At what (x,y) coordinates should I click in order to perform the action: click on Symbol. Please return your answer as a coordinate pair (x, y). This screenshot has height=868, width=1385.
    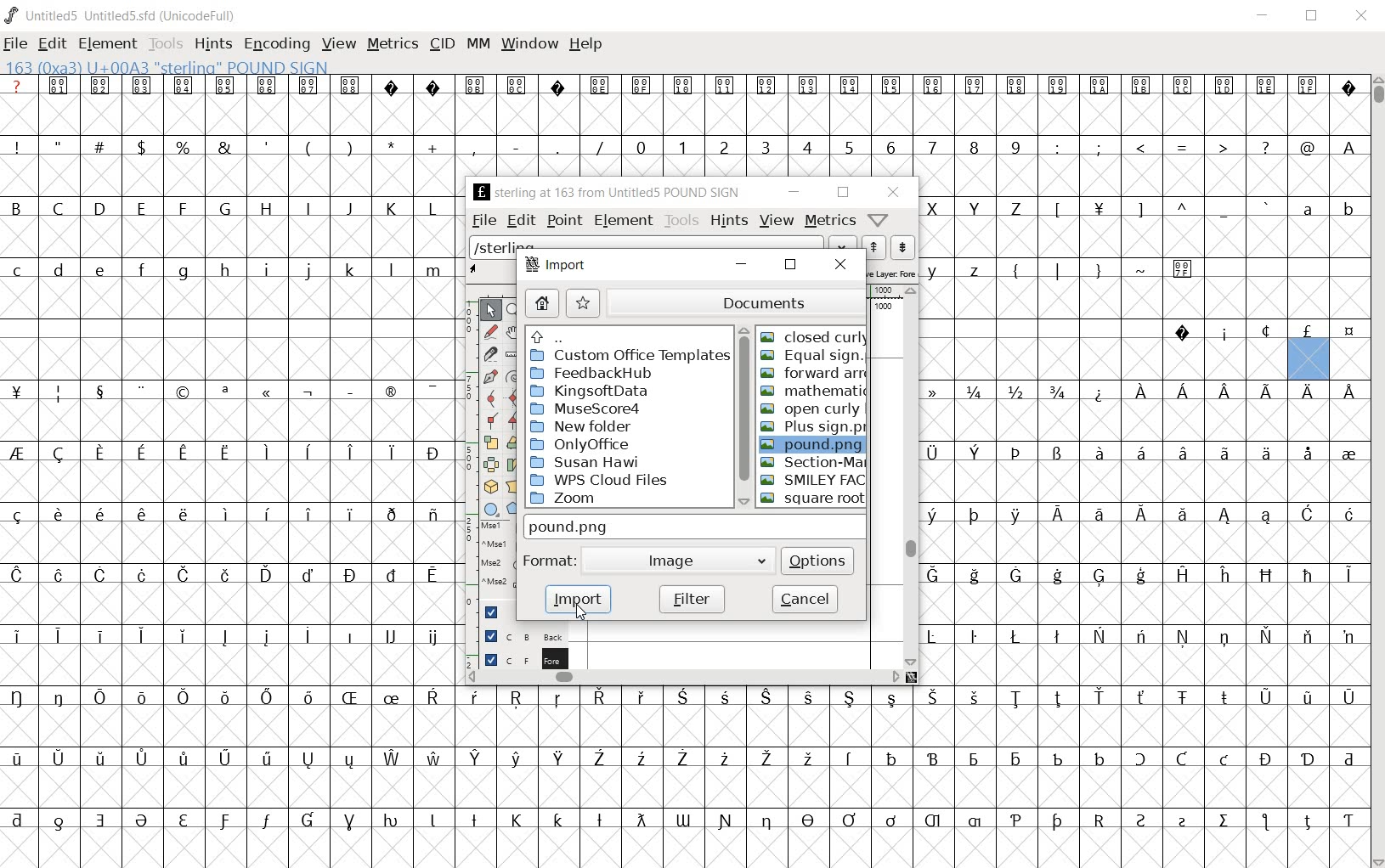
    Looking at the image, I should click on (184, 454).